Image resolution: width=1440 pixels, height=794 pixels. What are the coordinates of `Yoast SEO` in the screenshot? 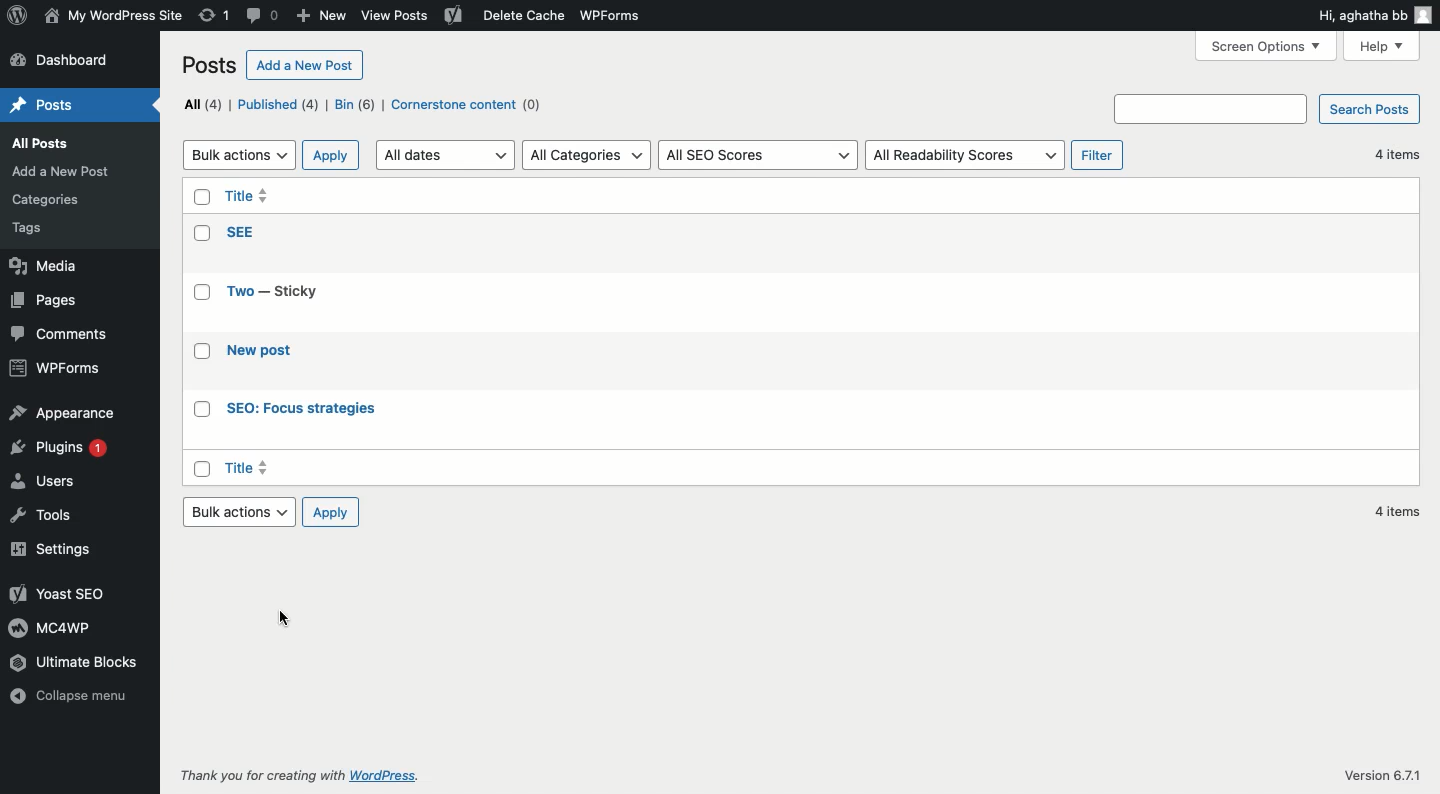 It's located at (55, 593).